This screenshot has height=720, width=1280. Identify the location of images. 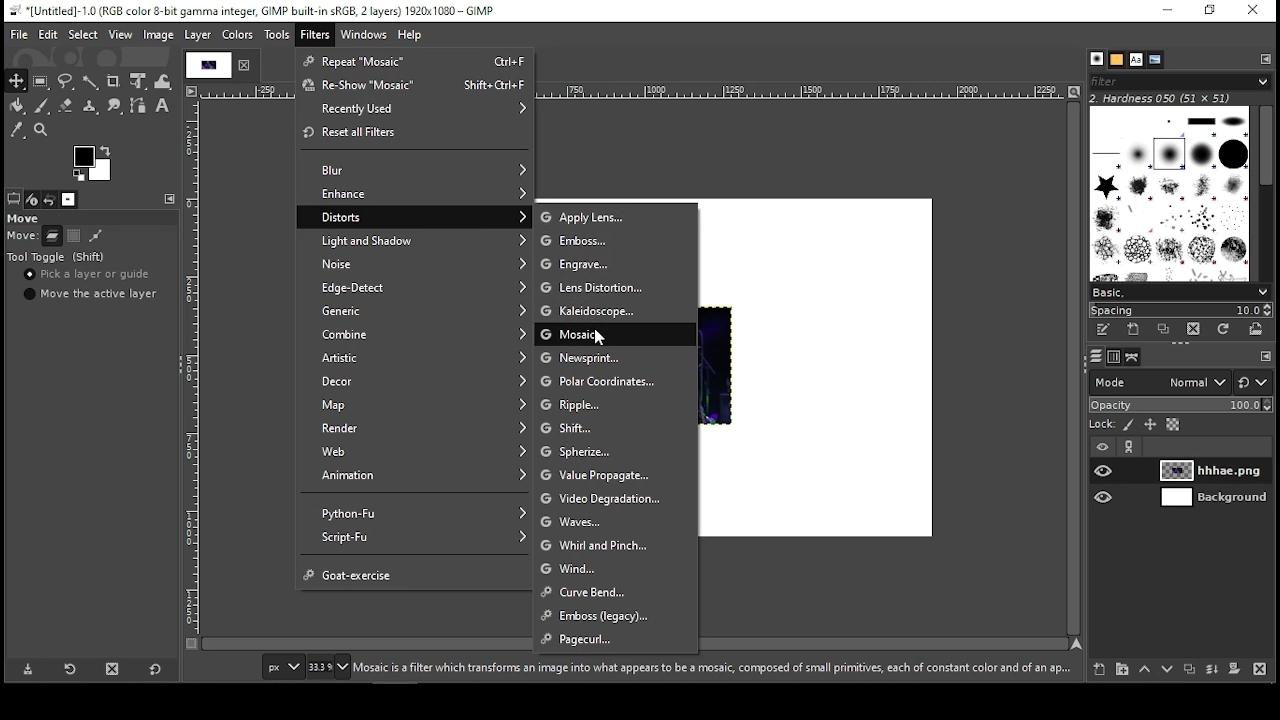
(69, 200).